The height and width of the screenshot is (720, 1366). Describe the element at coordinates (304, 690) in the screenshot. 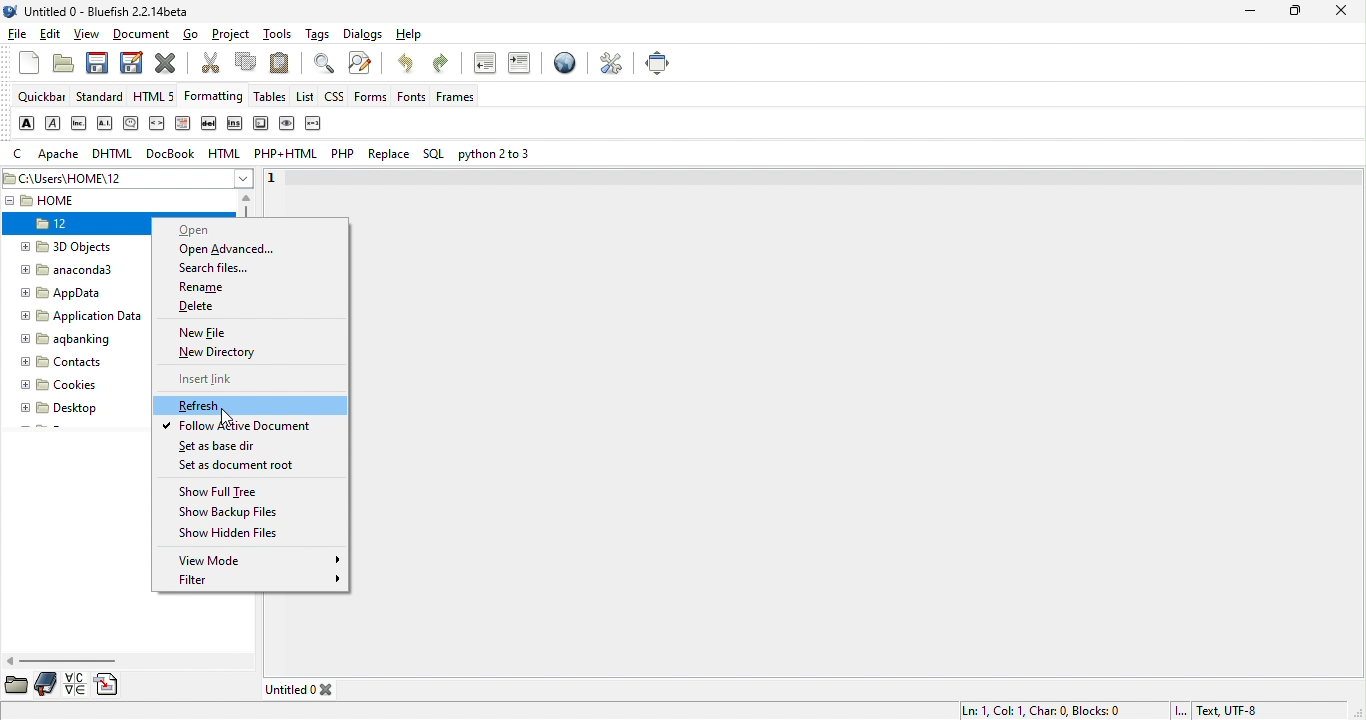

I see `untitled 0` at that location.